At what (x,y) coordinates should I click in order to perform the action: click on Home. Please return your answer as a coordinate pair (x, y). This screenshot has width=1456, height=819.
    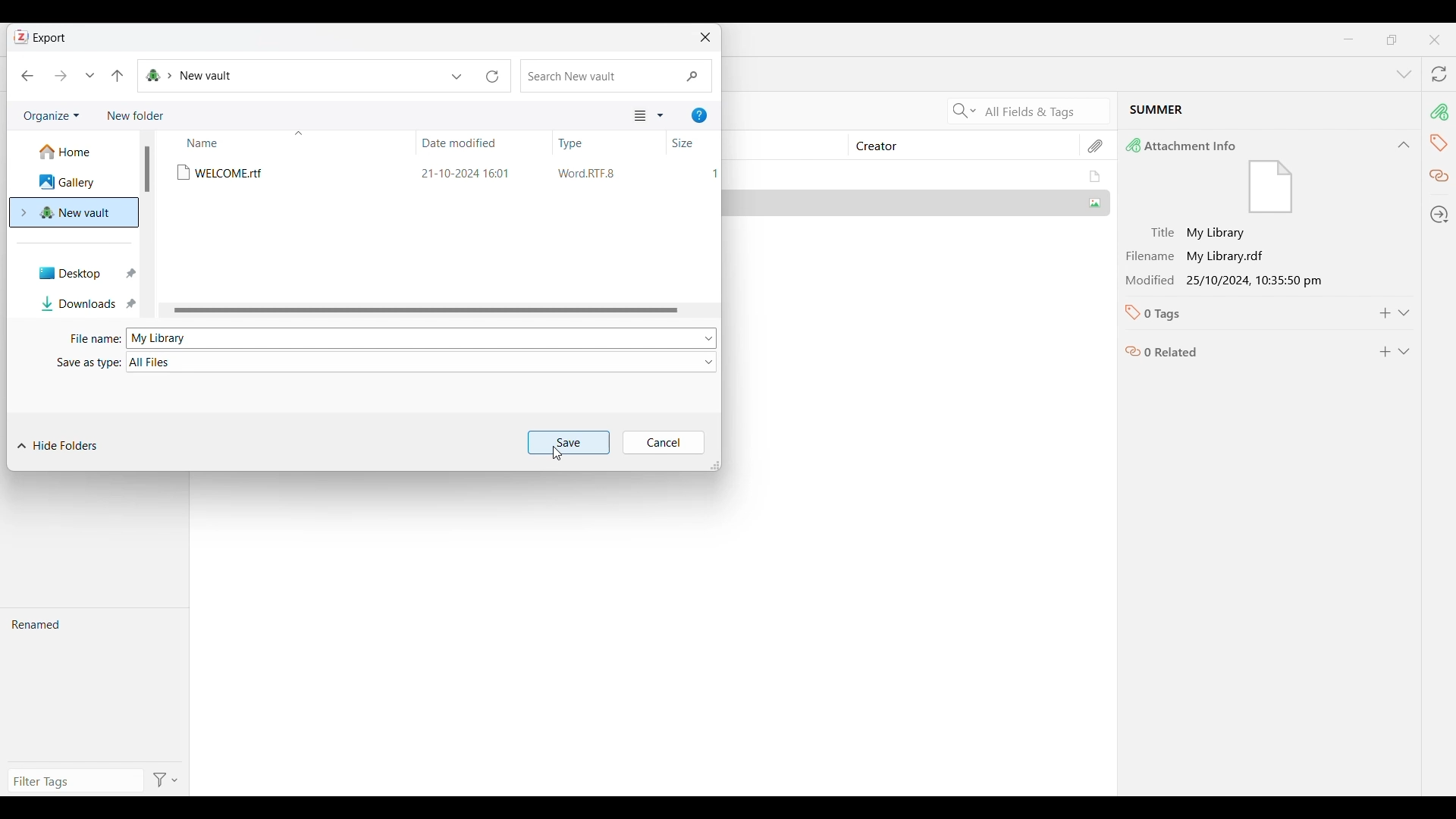
    Looking at the image, I should click on (76, 152).